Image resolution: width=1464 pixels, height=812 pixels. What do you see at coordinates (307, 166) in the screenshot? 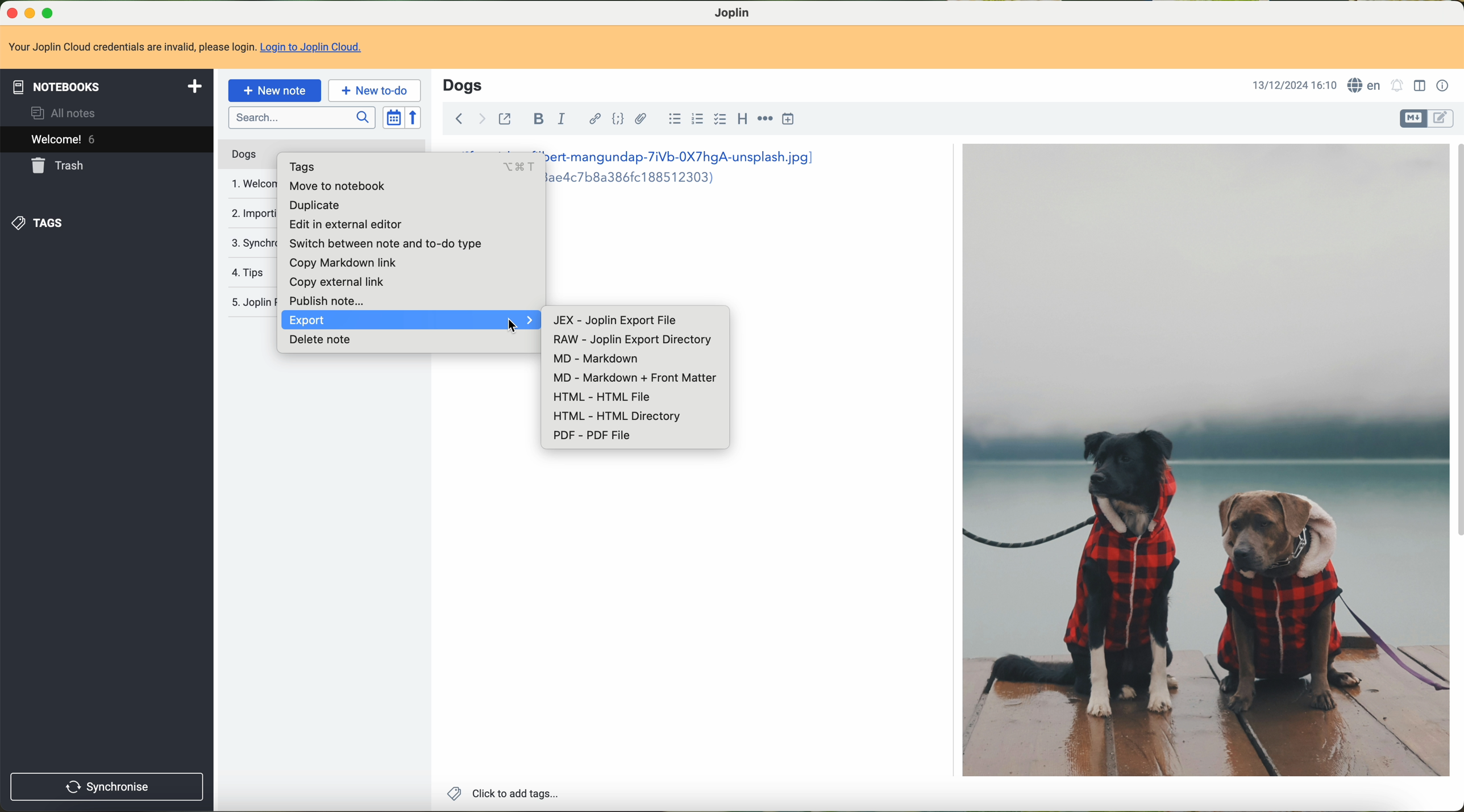
I see `tags` at bounding box center [307, 166].